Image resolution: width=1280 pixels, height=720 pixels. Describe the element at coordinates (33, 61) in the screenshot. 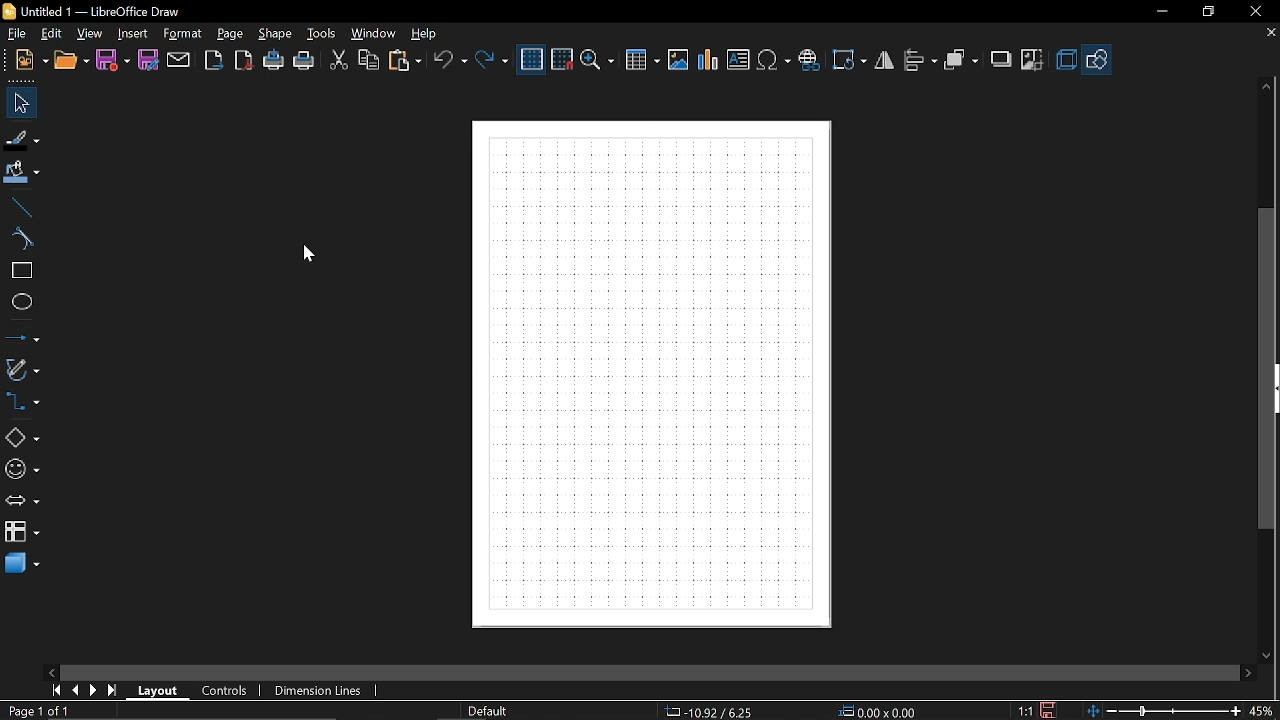

I see `new` at that location.